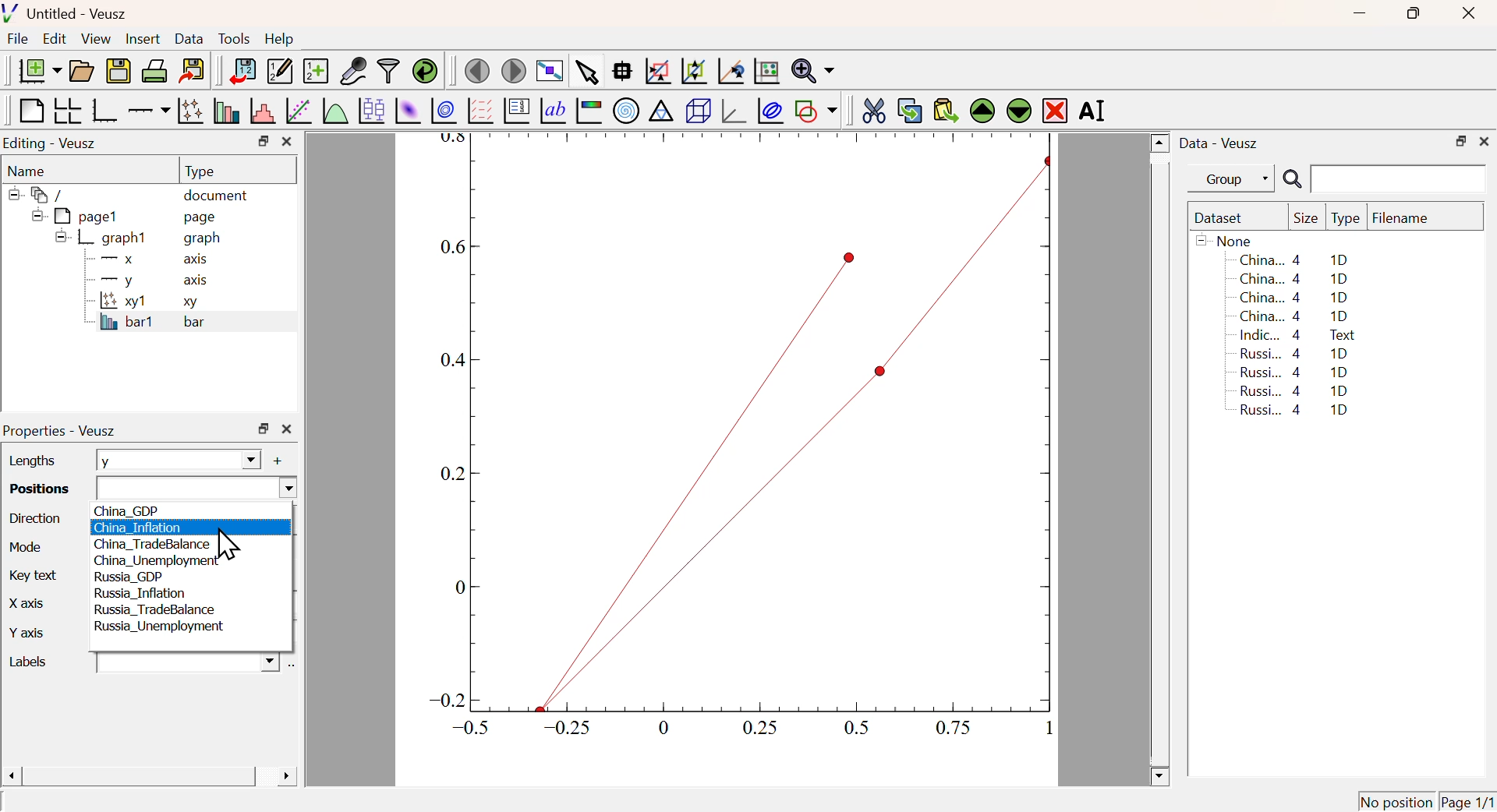 The image size is (1497, 812). Describe the element at coordinates (515, 71) in the screenshot. I see `Move to next page` at that location.